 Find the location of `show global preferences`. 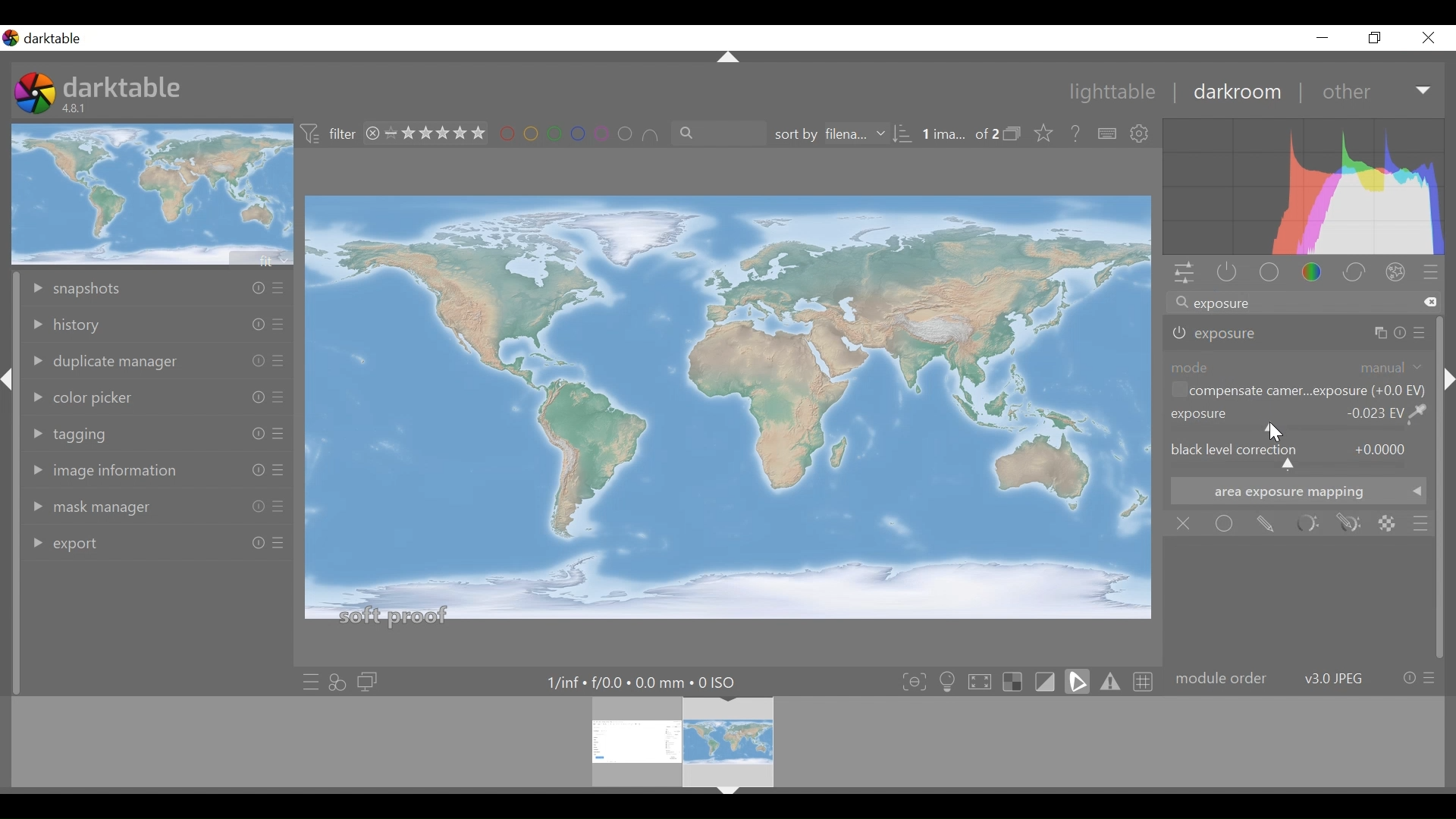

show global preferences is located at coordinates (1141, 134).